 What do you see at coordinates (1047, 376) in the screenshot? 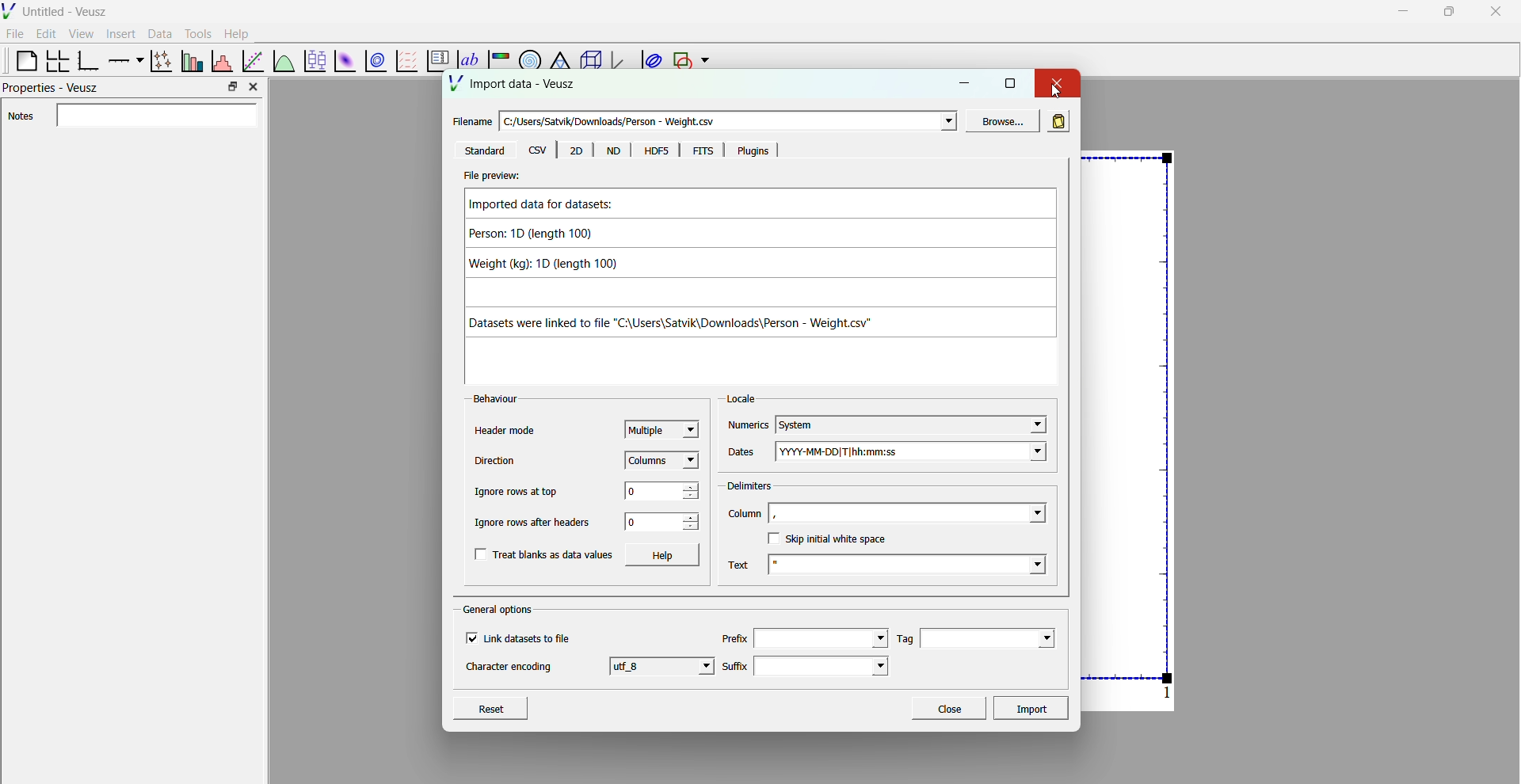
I see `down` at bounding box center [1047, 376].